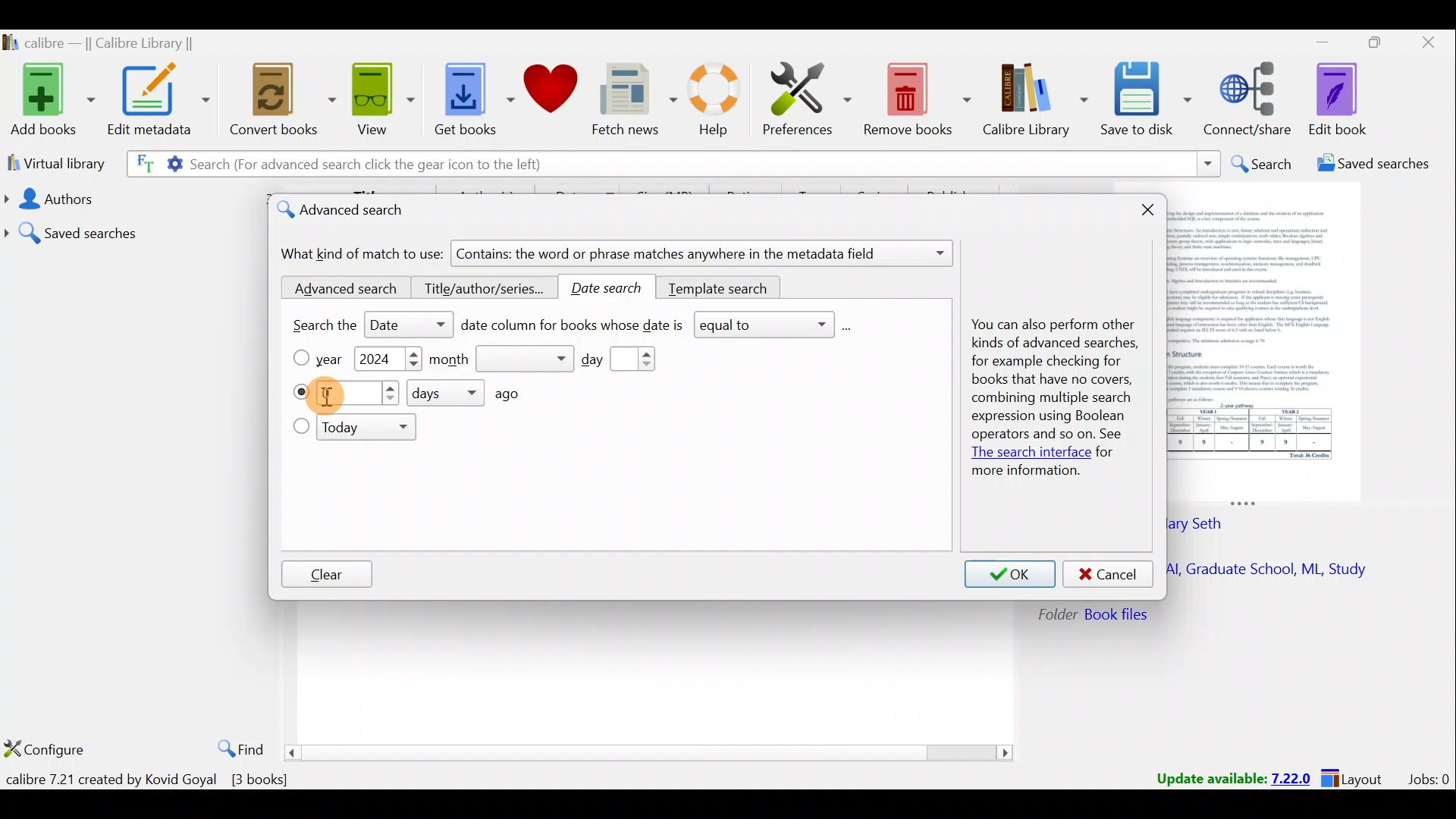  I want to click on Date column for books whose date is, so click(573, 328).